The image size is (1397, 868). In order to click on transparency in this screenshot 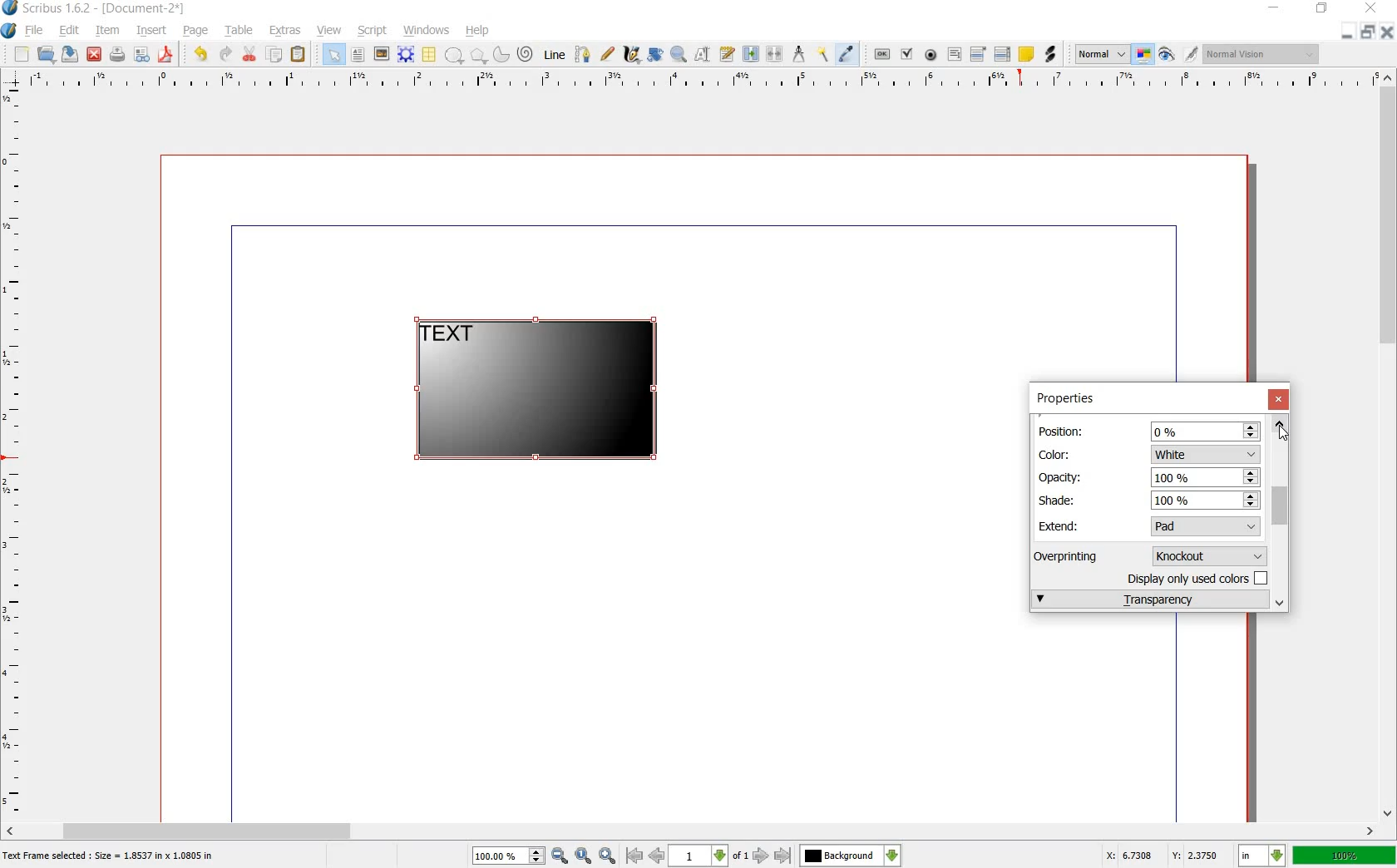, I will do `click(1148, 599)`.